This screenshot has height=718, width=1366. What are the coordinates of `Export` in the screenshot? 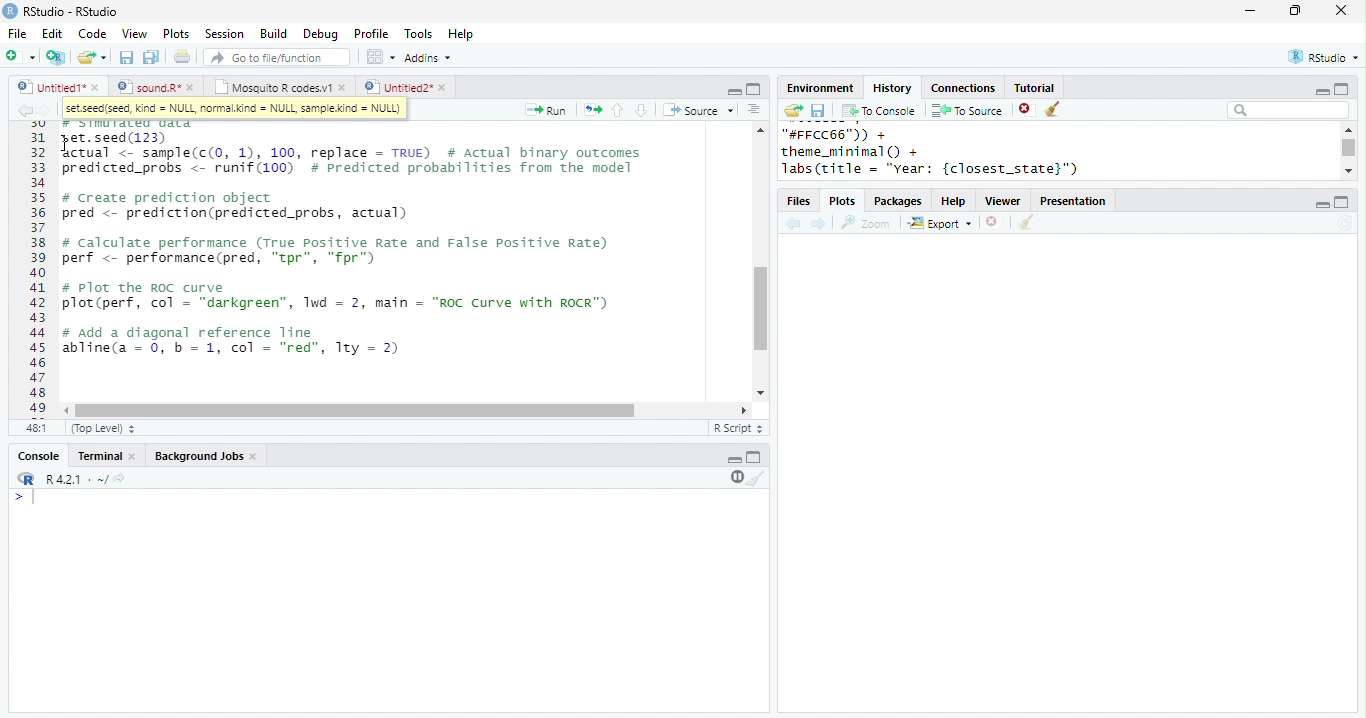 It's located at (941, 224).